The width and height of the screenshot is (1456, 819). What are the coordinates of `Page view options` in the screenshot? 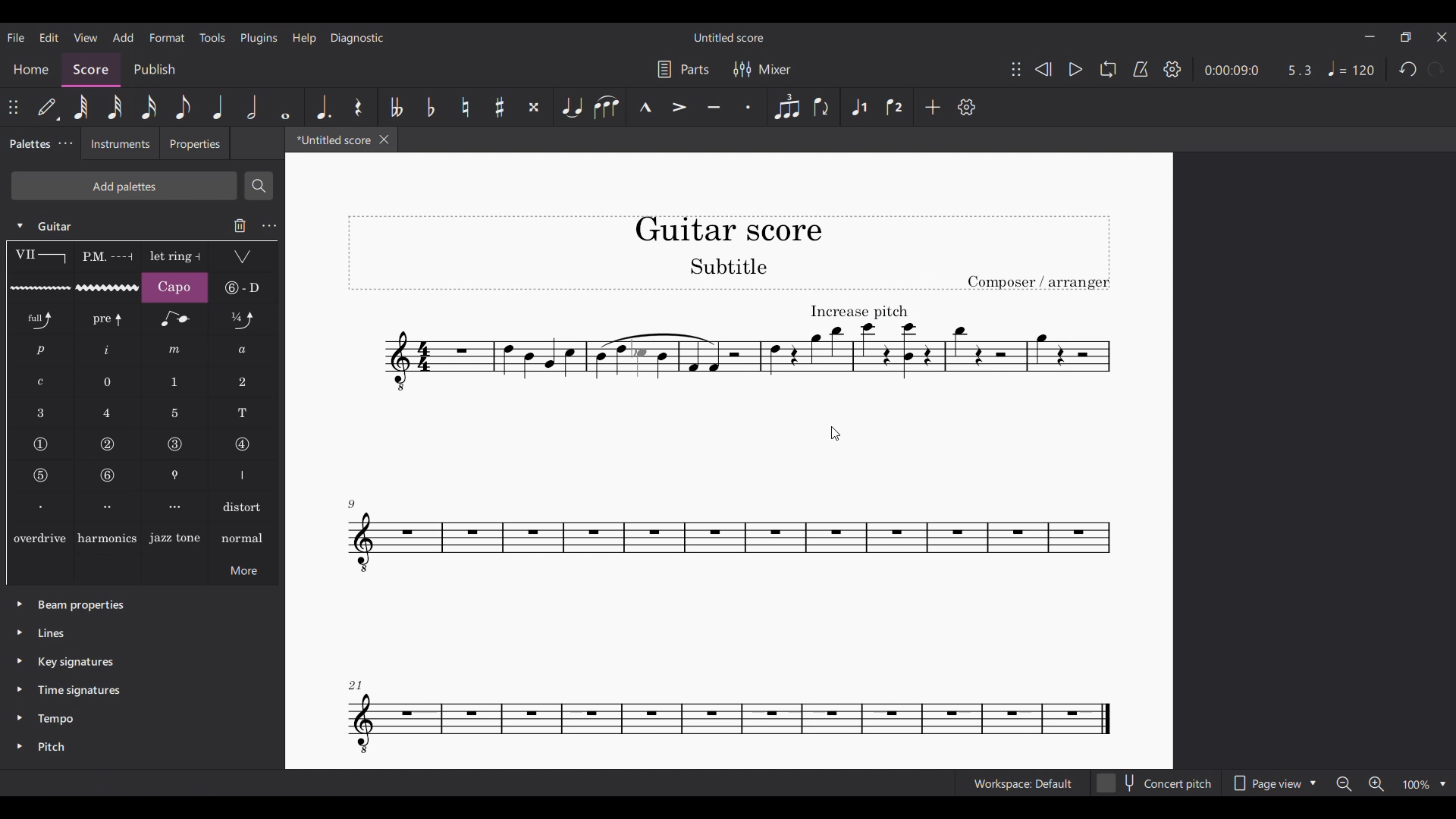 It's located at (1275, 783).